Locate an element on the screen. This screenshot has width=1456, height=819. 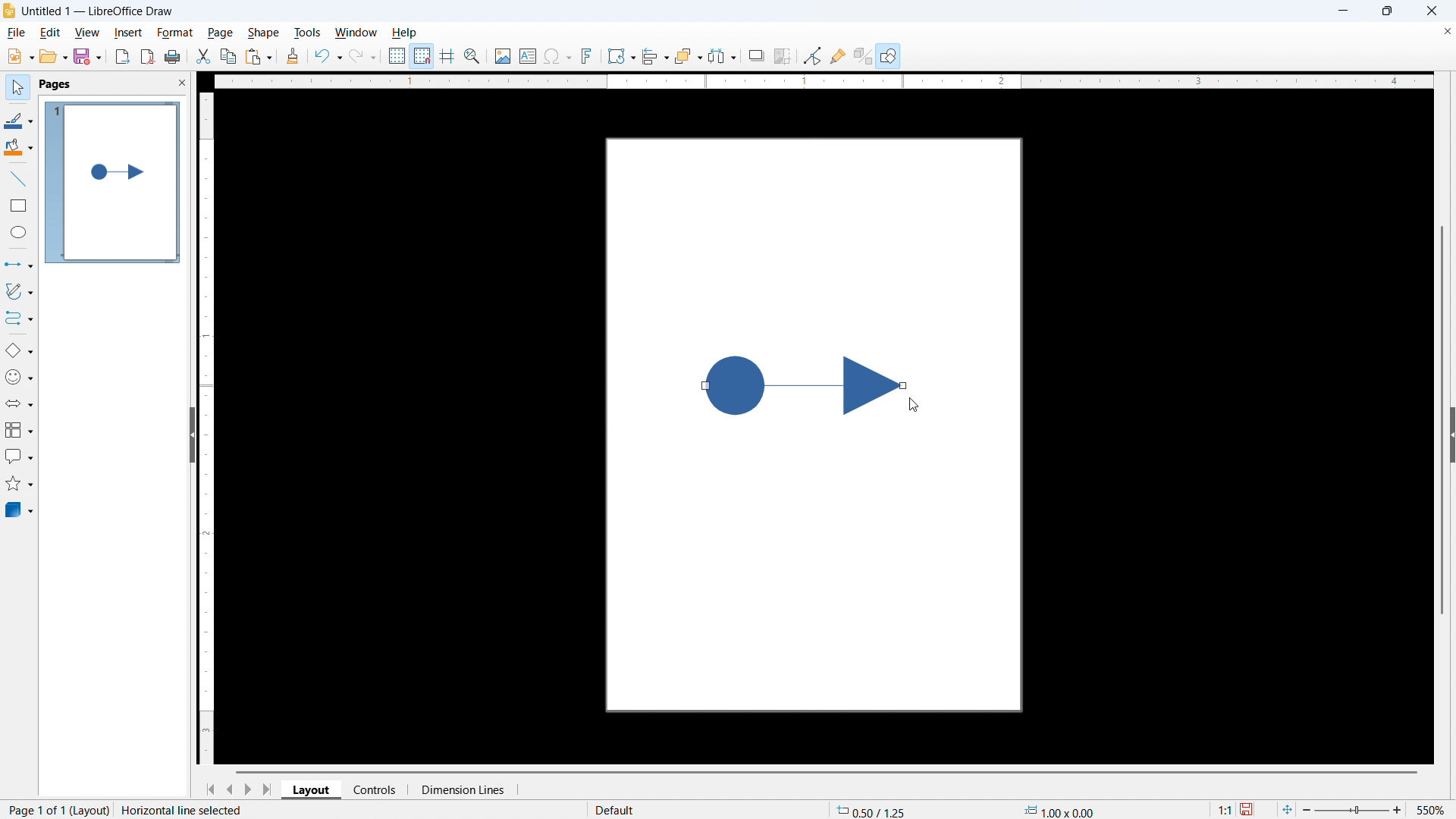
Go to last page  is located at coordinates (269, 789).